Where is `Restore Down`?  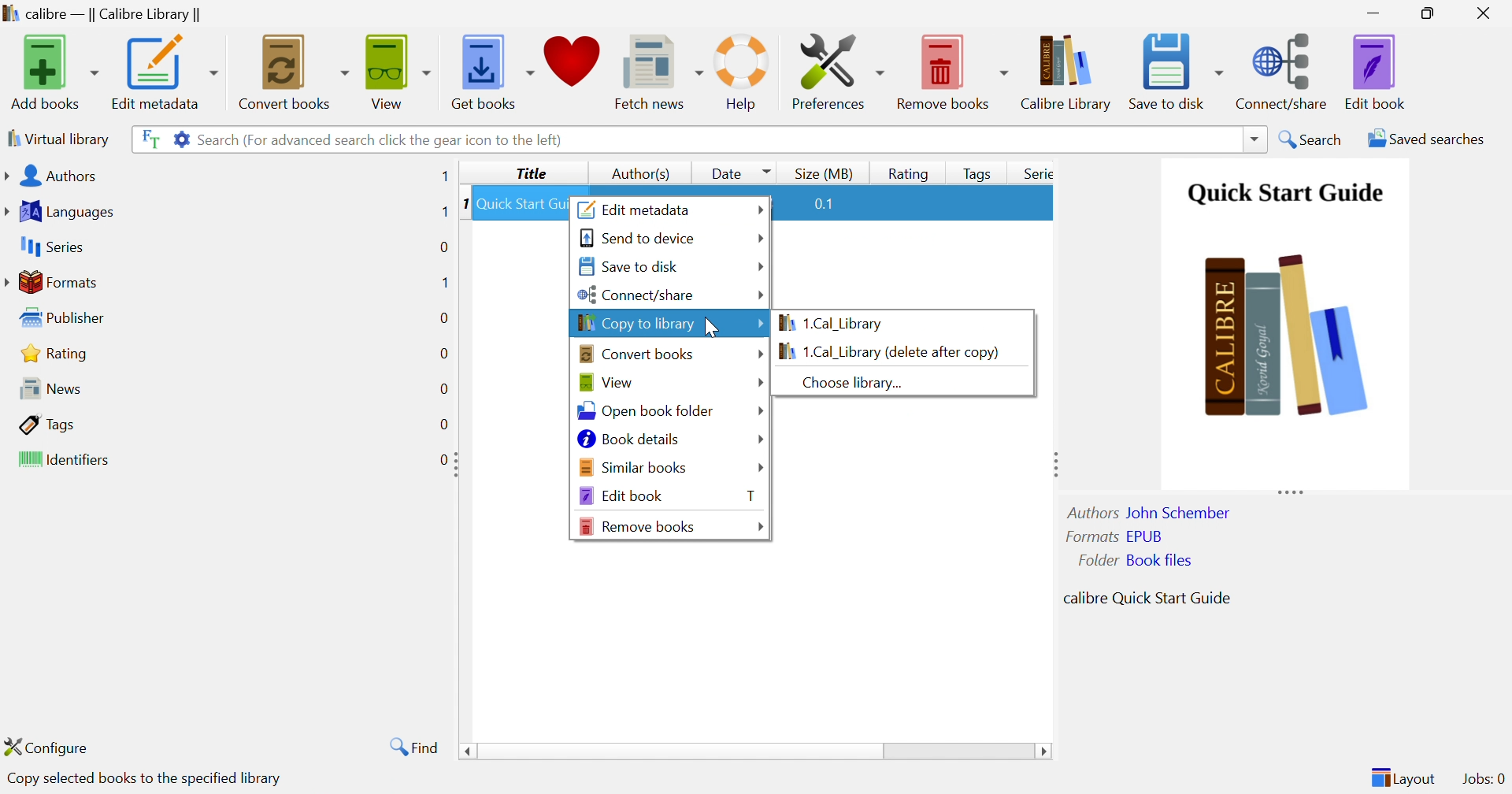 Restore Down is located at coordinates (1429, 12).